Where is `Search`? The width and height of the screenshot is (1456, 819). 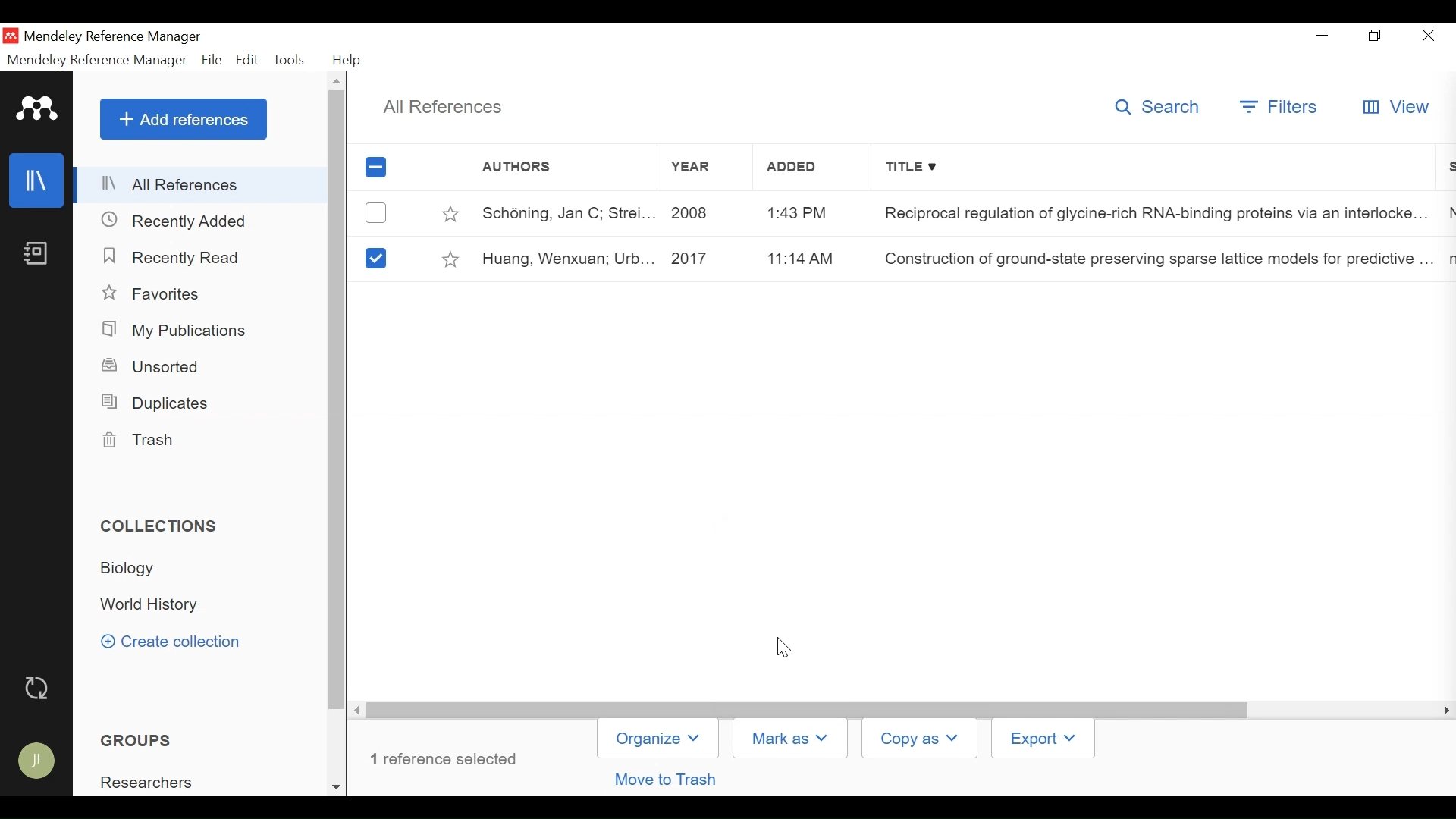 Search is located at coordinates (1158, 108).